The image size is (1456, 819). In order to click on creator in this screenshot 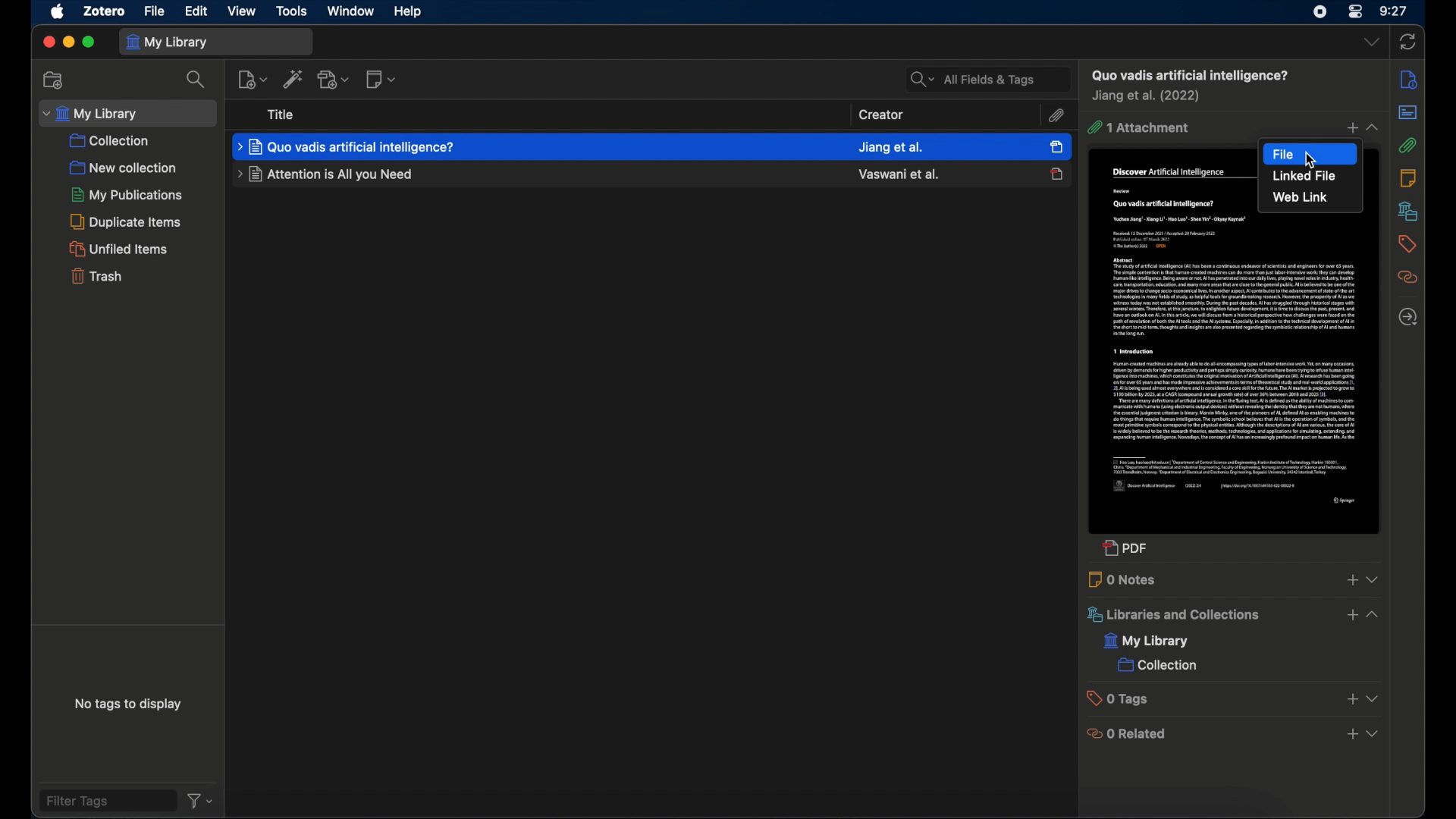, I will do `click(1148, 97)`.